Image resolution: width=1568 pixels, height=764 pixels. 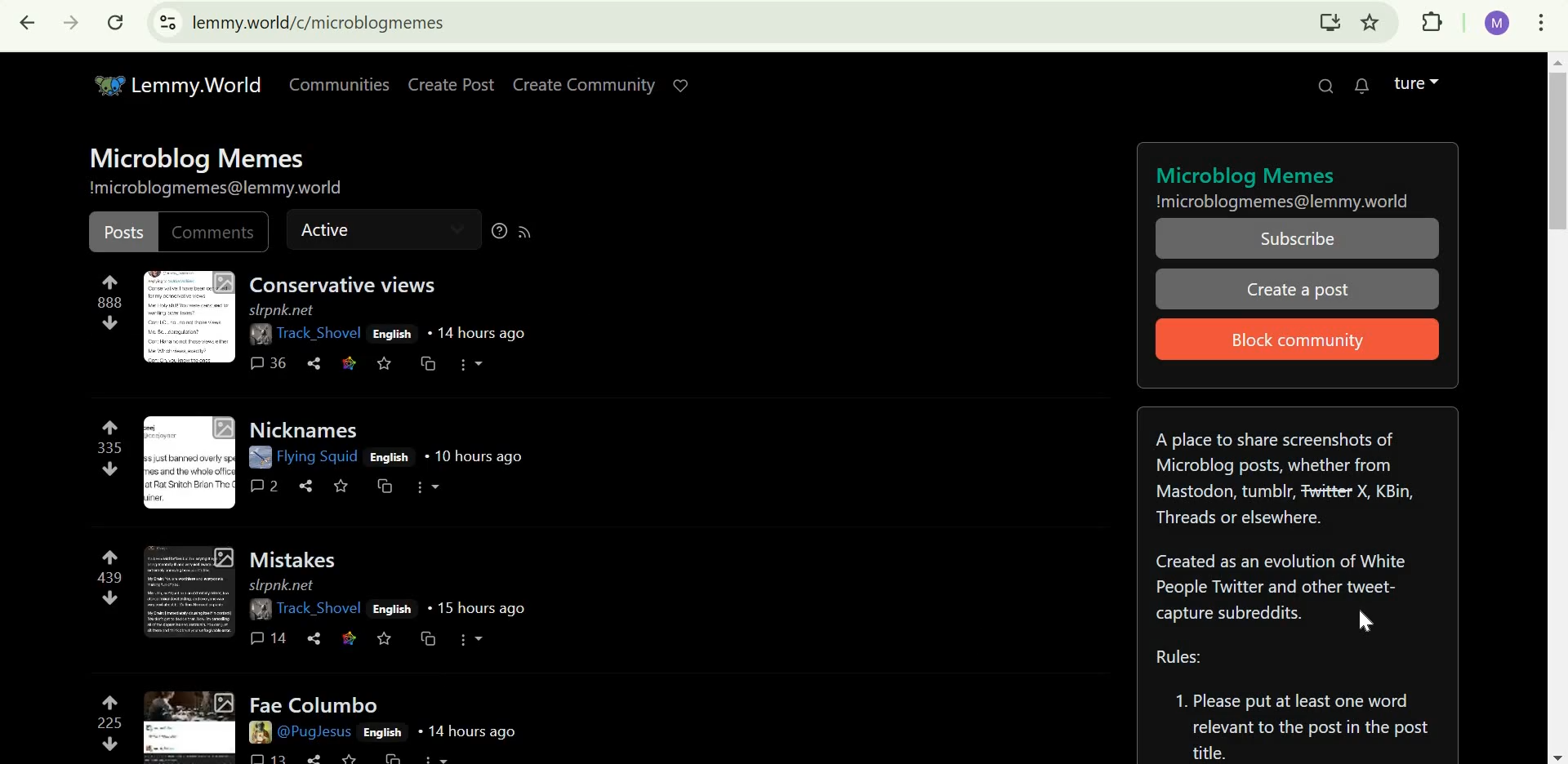 What do you see at coordinates (110, 556) in the screenshot?
I see `upvote` at bounding box center [110, 556].